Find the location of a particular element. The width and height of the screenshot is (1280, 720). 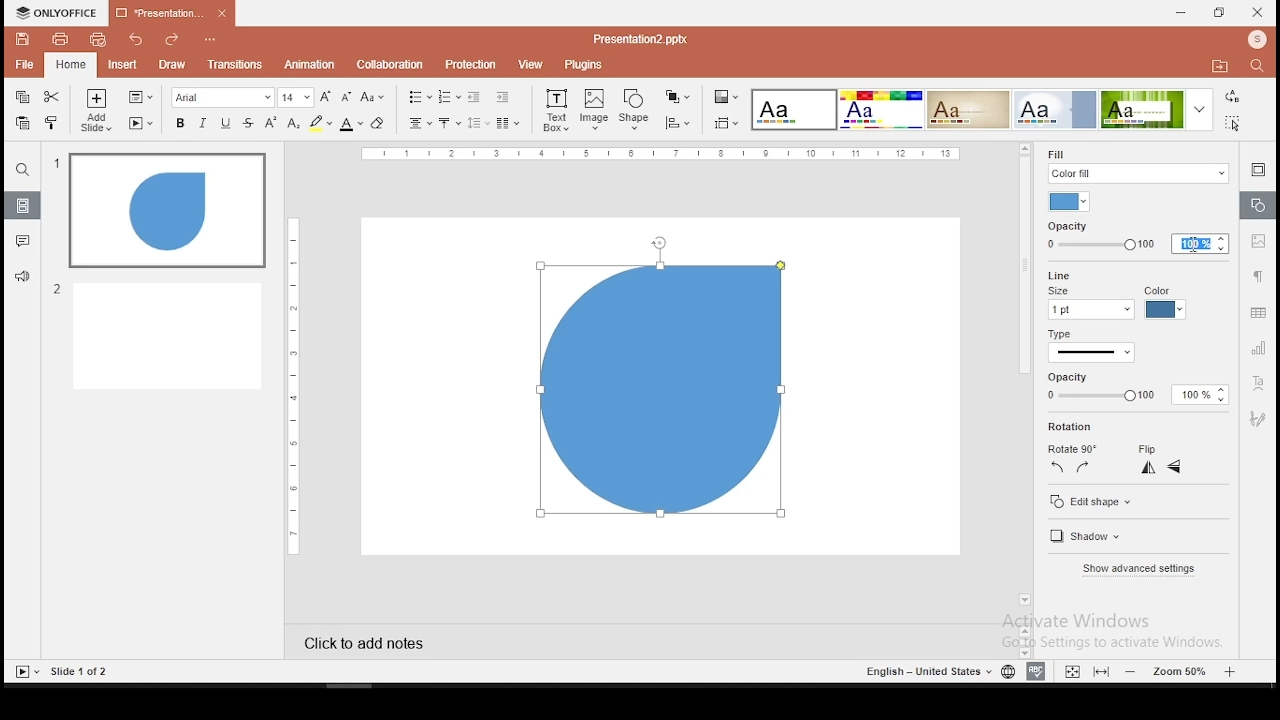

opacity is located at coordinates (1130, 388).